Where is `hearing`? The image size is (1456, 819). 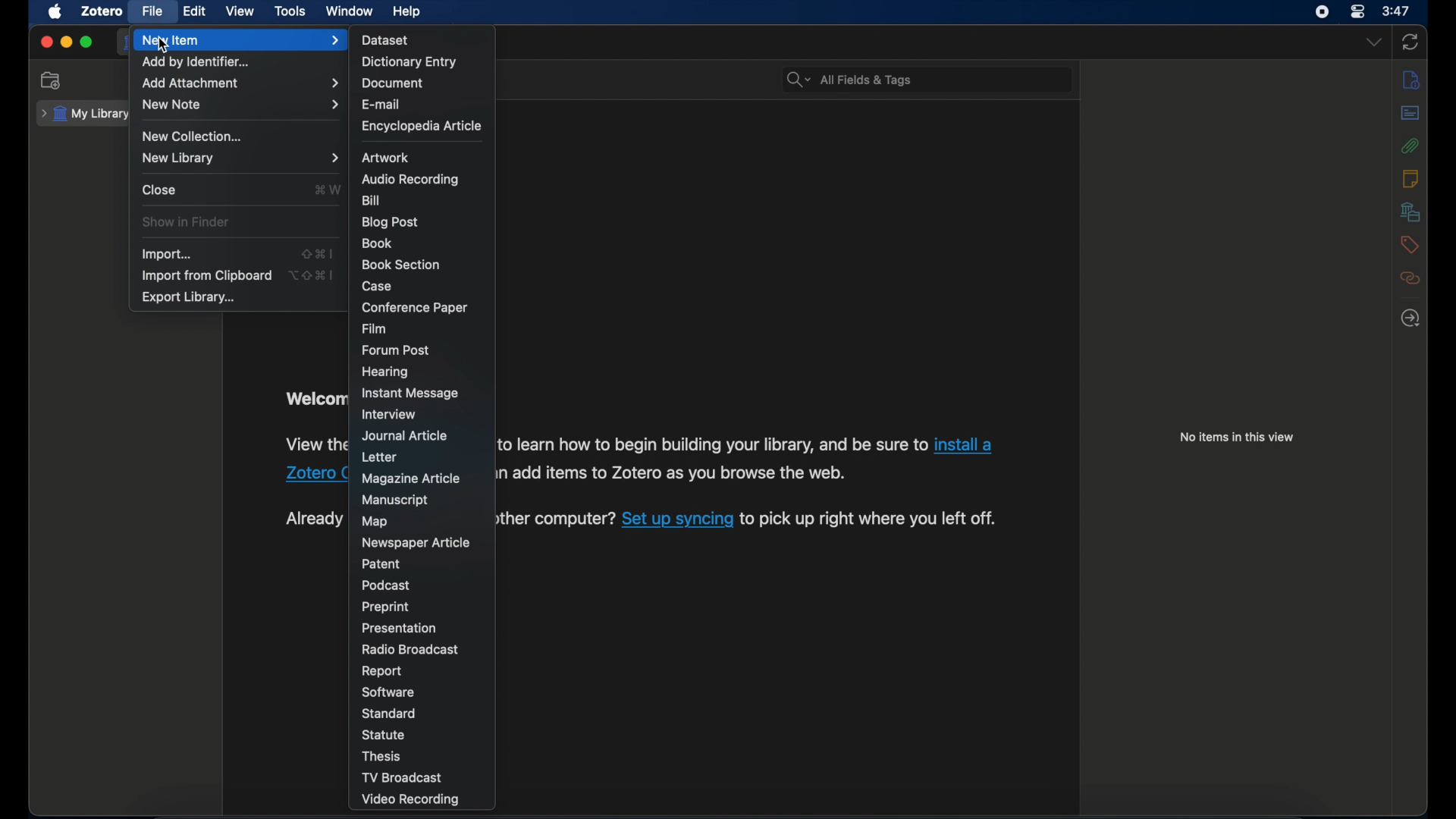
hearing is located at coordinates (387, 372).